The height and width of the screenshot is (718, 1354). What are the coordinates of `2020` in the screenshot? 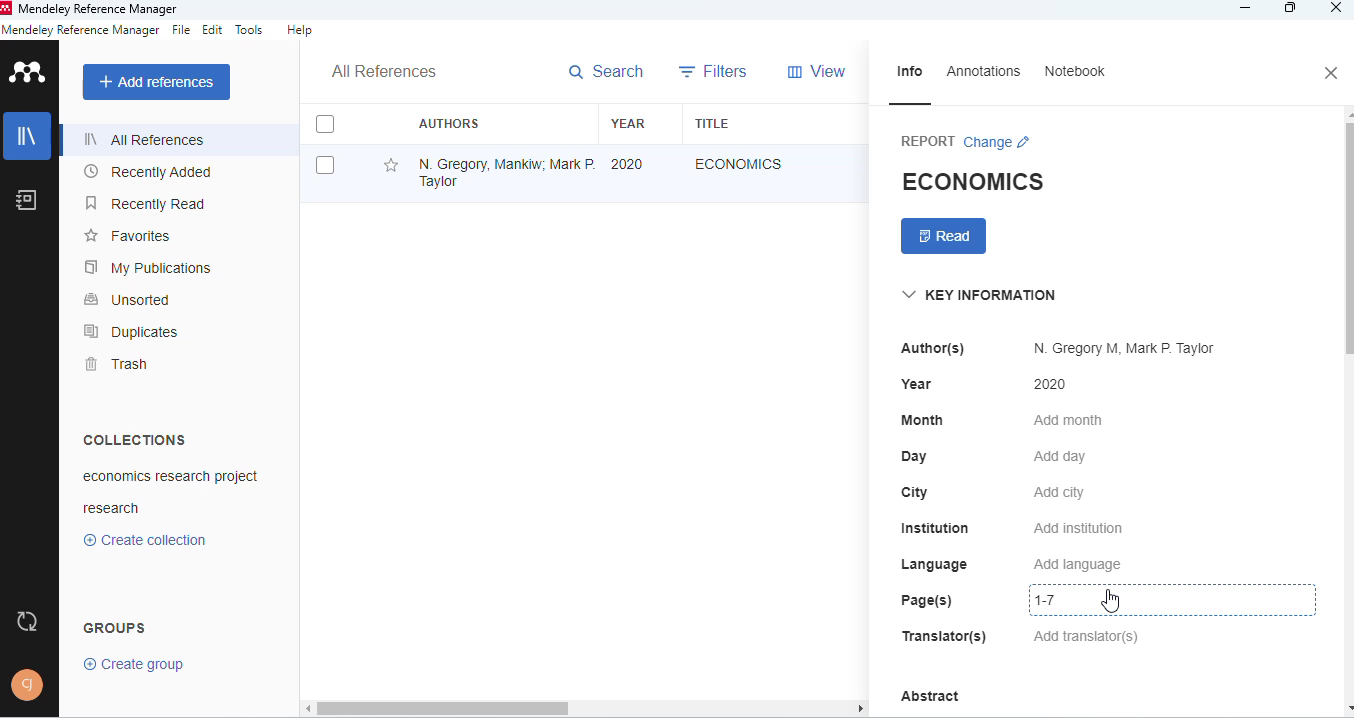 It's located at (1050, 384).